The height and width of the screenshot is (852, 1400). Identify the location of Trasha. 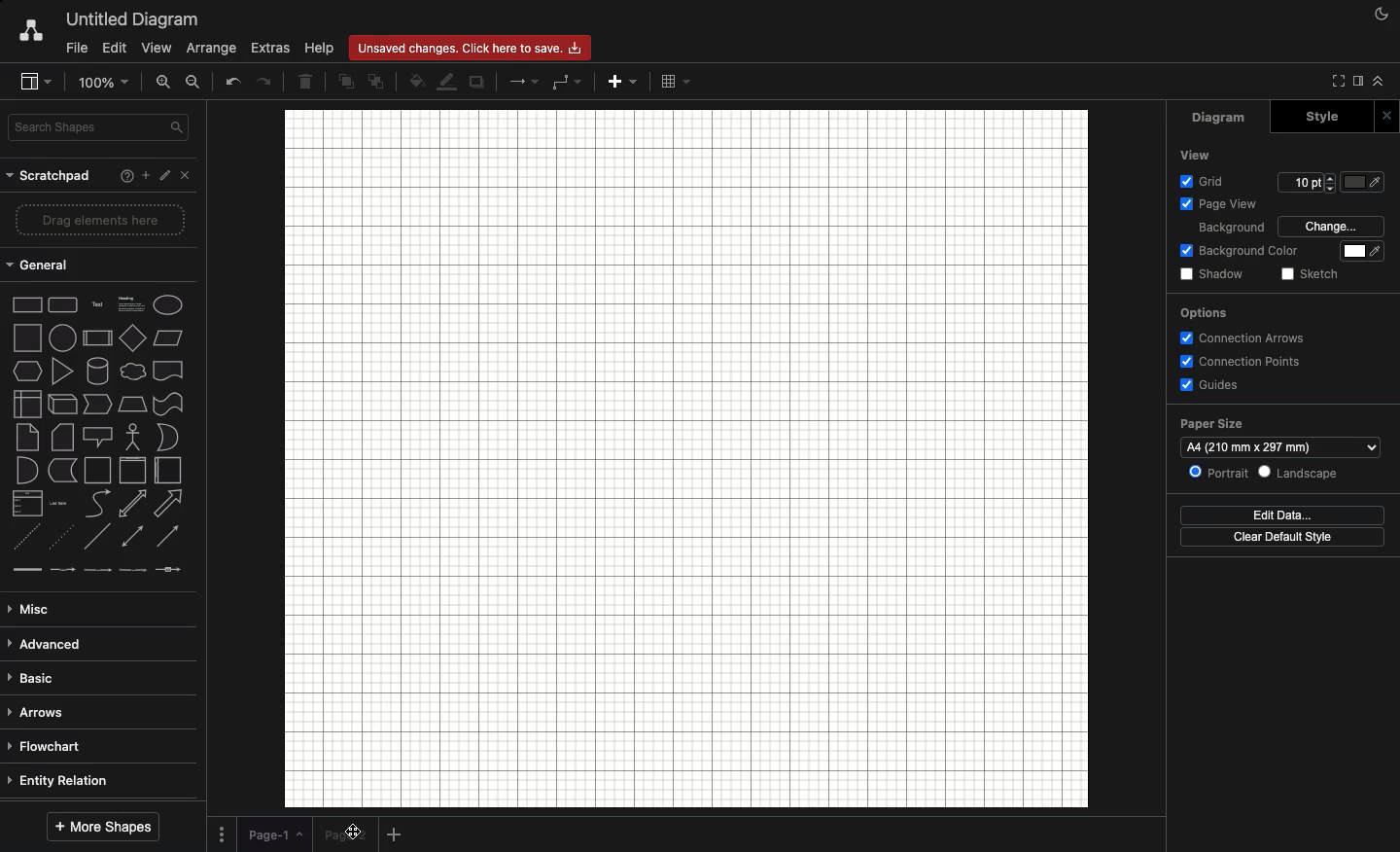
(307, 81).